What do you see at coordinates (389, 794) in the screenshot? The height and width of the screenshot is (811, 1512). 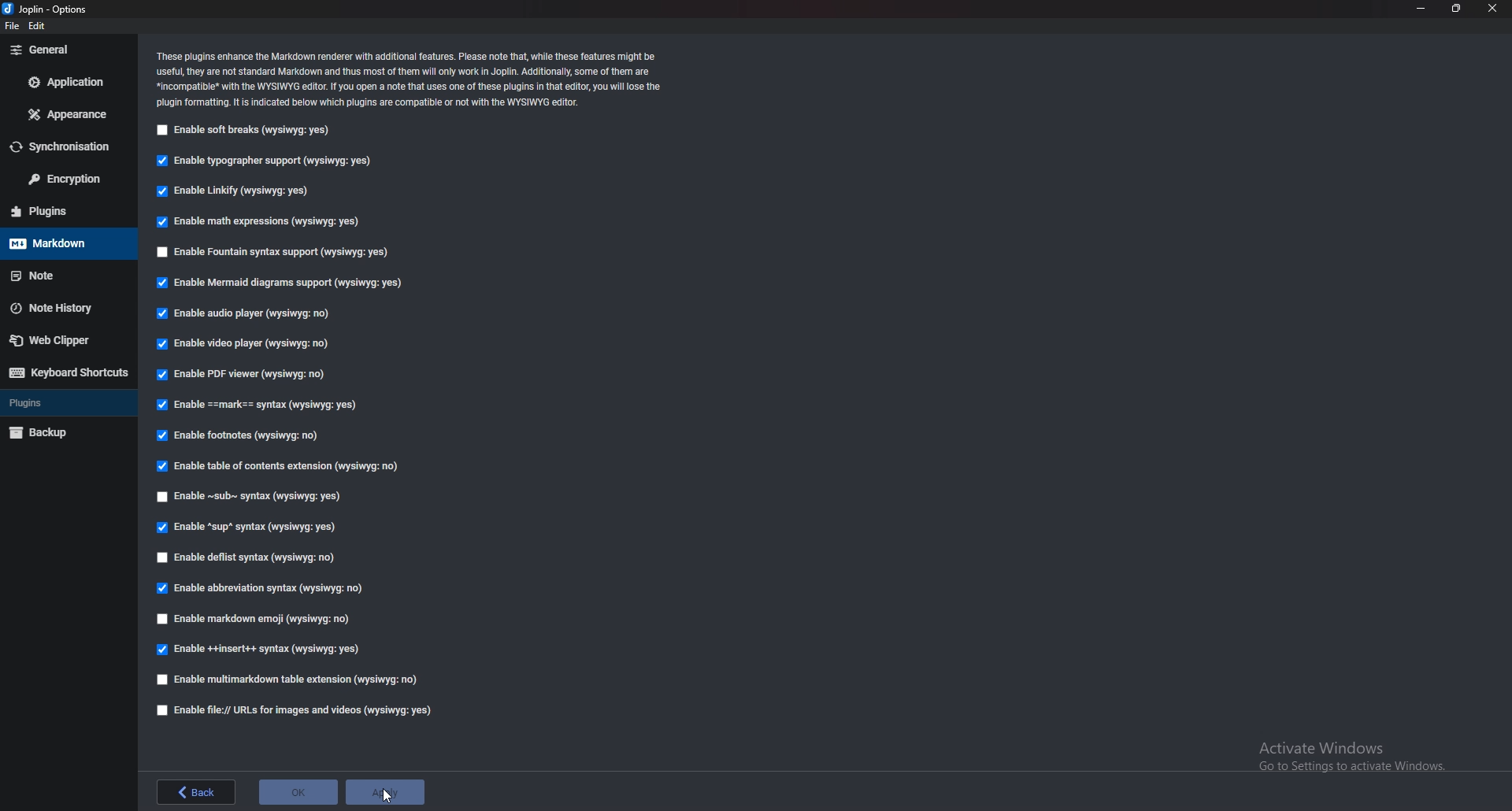 I see `apply` at bounding box center [389, 794].